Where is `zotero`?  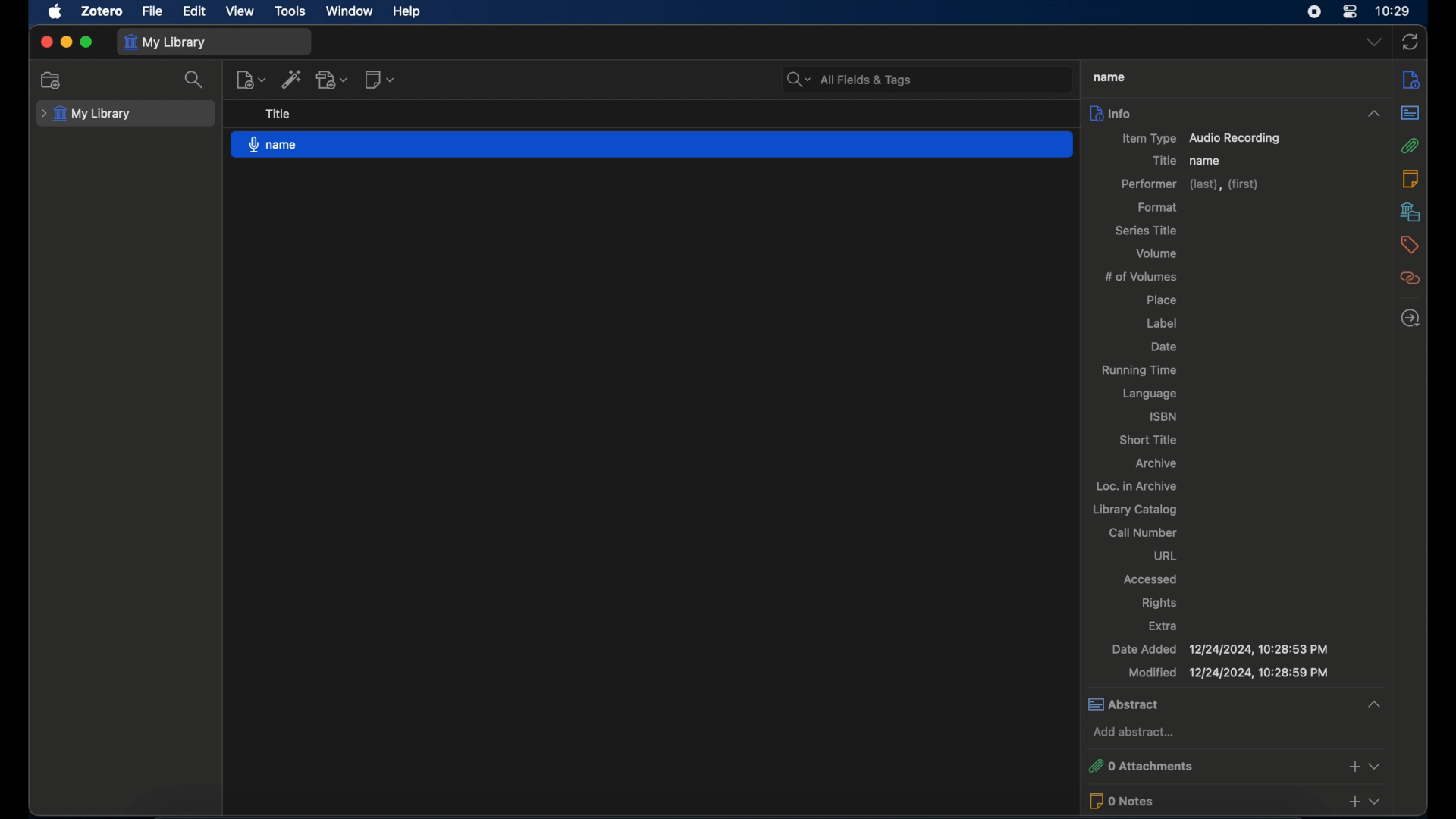 zotero is located at coordinates (102, 11).